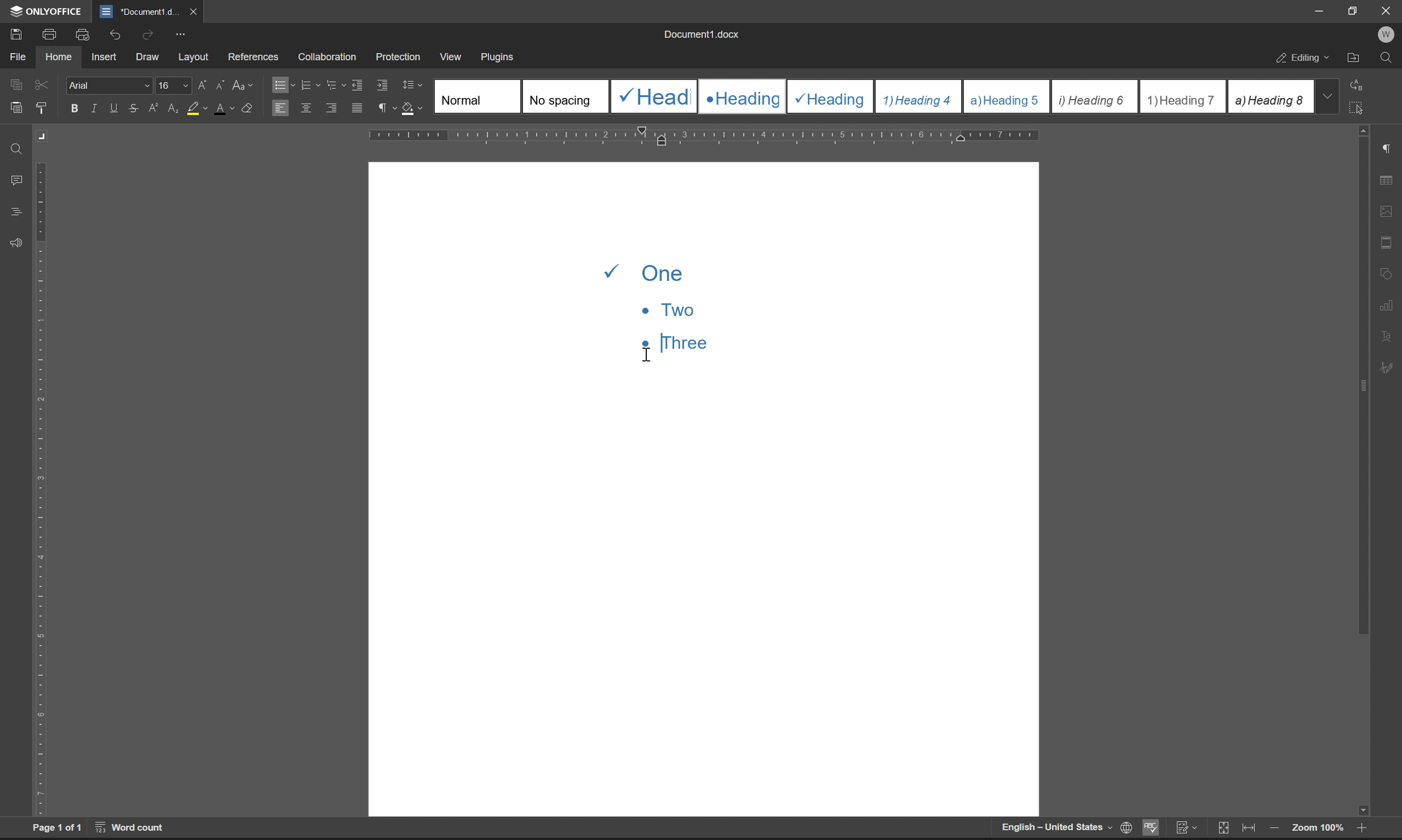  Describe the element at coordinates (201, 83) in the screenshot. I see `increment font case` at that location.